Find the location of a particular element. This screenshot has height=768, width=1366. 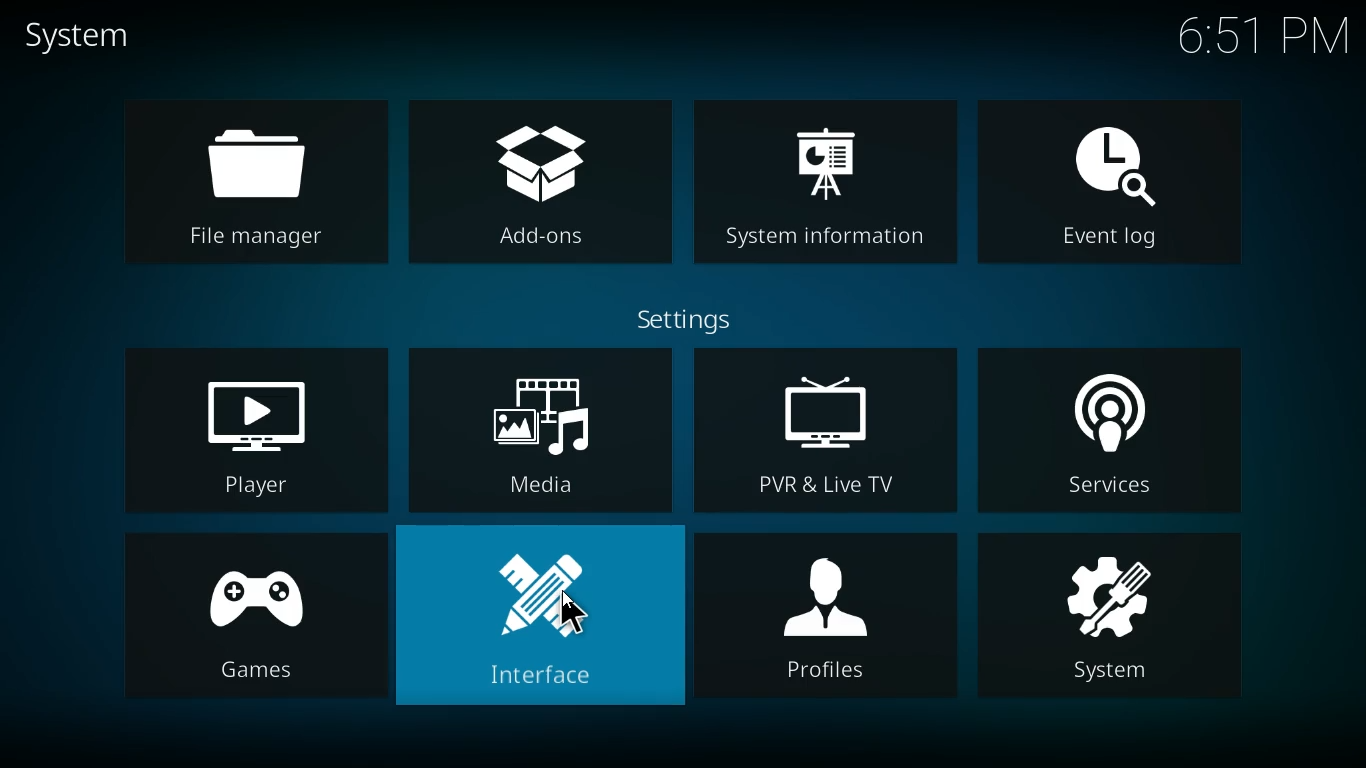

services is located at coordinates (1113, 430).